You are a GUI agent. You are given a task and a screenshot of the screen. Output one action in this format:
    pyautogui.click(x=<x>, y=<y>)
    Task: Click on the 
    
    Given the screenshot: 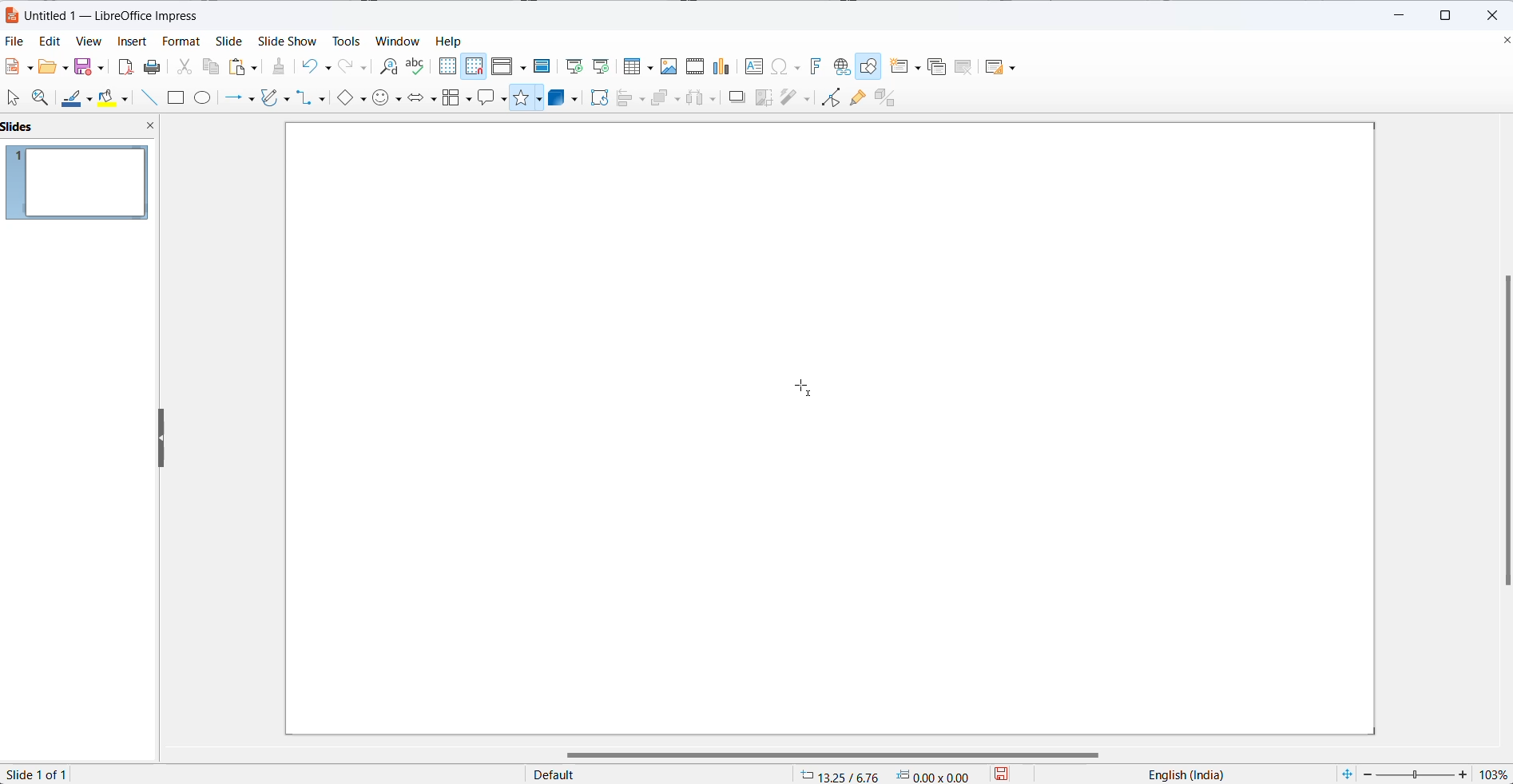 What is the action you would take?
    pyautogui.click(x=704, y=98)
    